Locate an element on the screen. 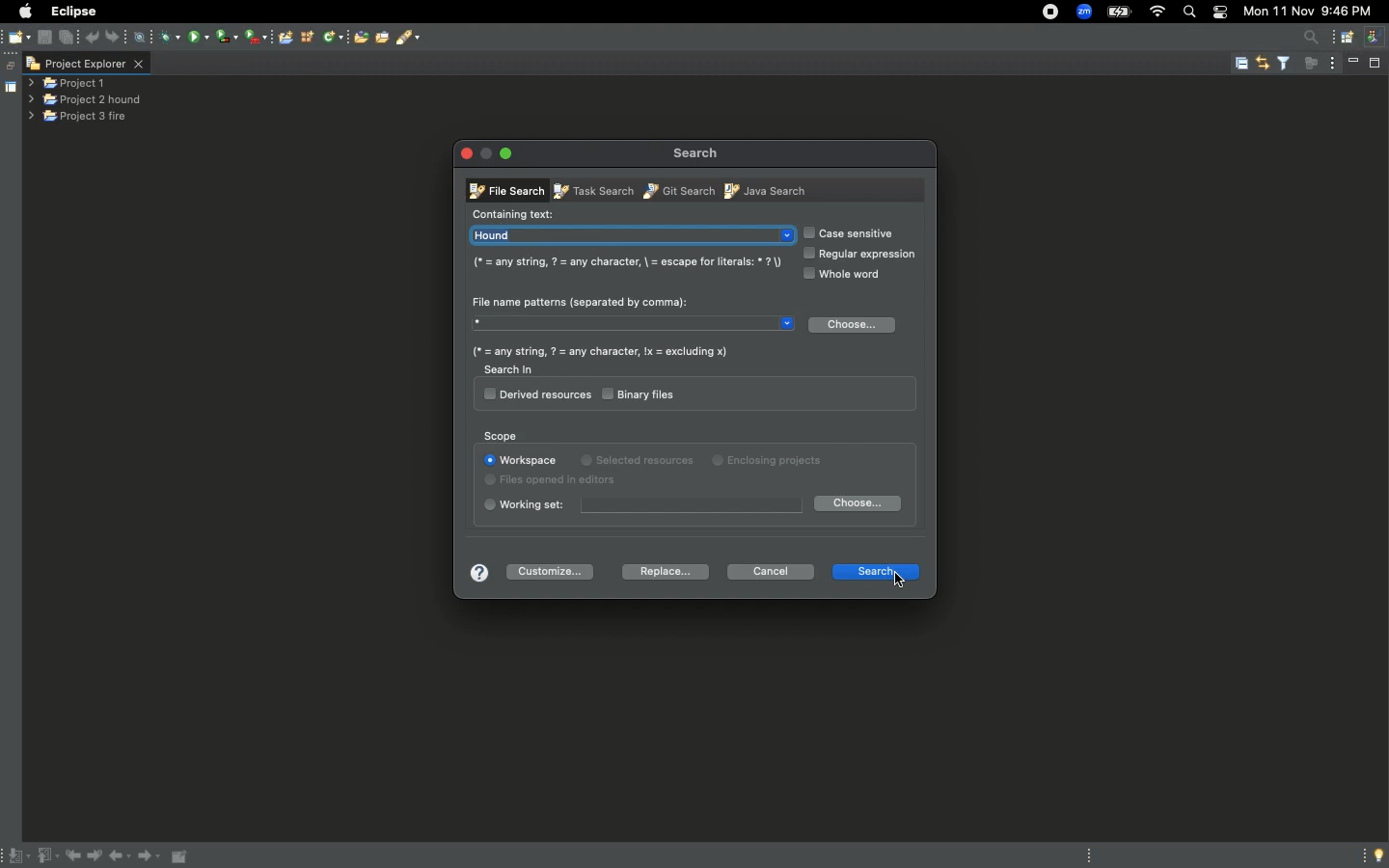  Files opened in editors is located at coordinates (559, 481).